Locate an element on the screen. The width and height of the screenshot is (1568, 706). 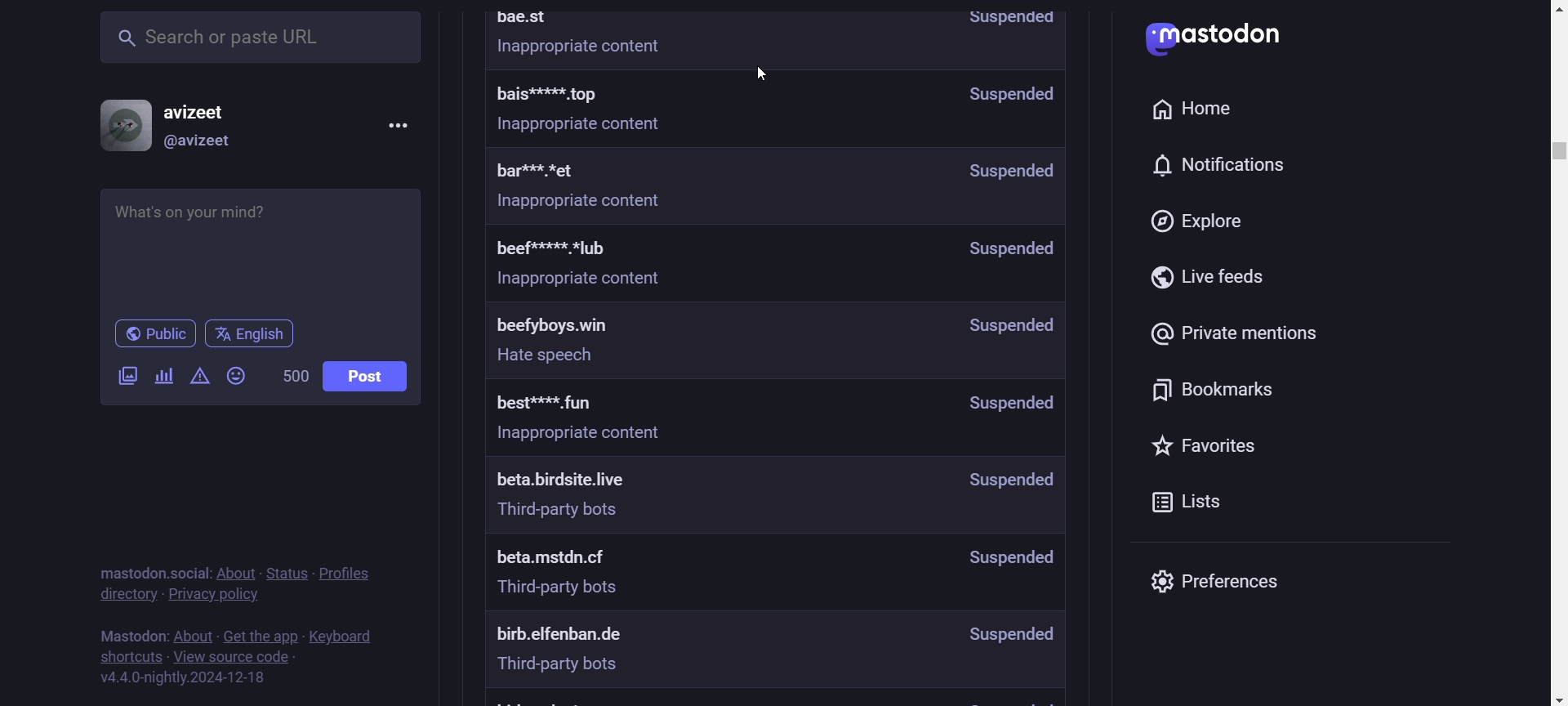
text is located at coordinates (149, 564).